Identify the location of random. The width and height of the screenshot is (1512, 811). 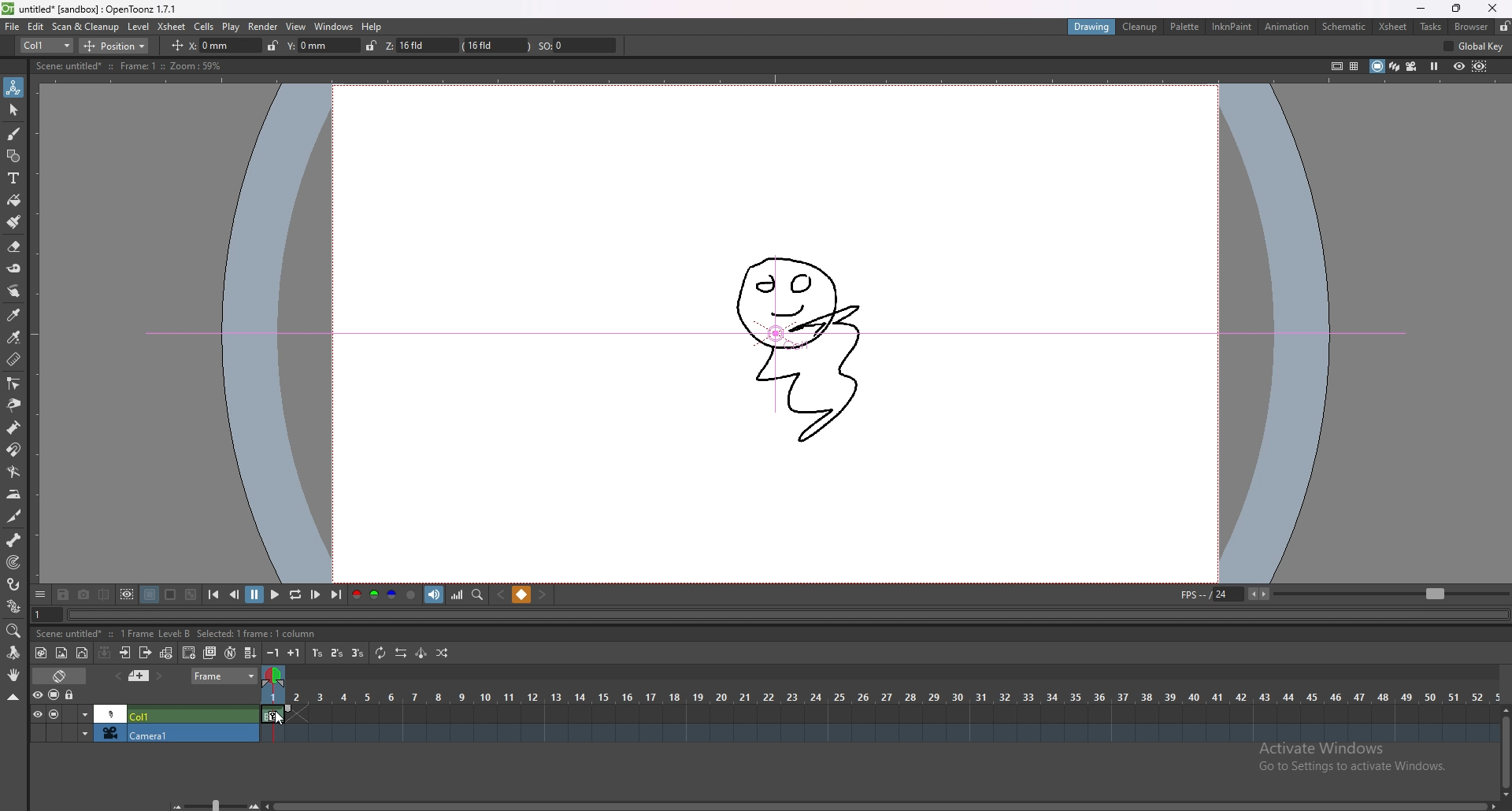
(443, 654).